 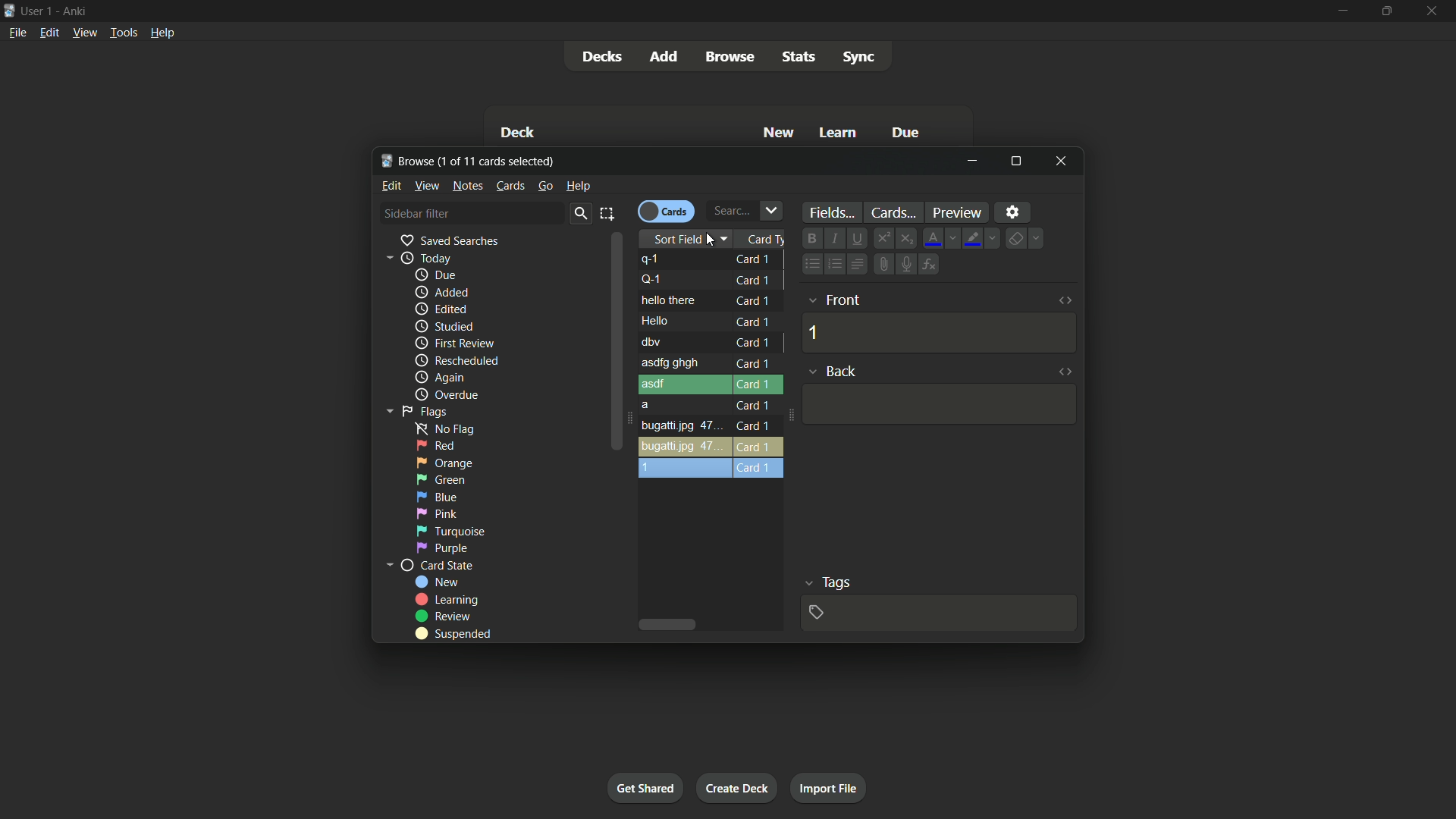 I want to click on no flag, so click(x=449, y=430).